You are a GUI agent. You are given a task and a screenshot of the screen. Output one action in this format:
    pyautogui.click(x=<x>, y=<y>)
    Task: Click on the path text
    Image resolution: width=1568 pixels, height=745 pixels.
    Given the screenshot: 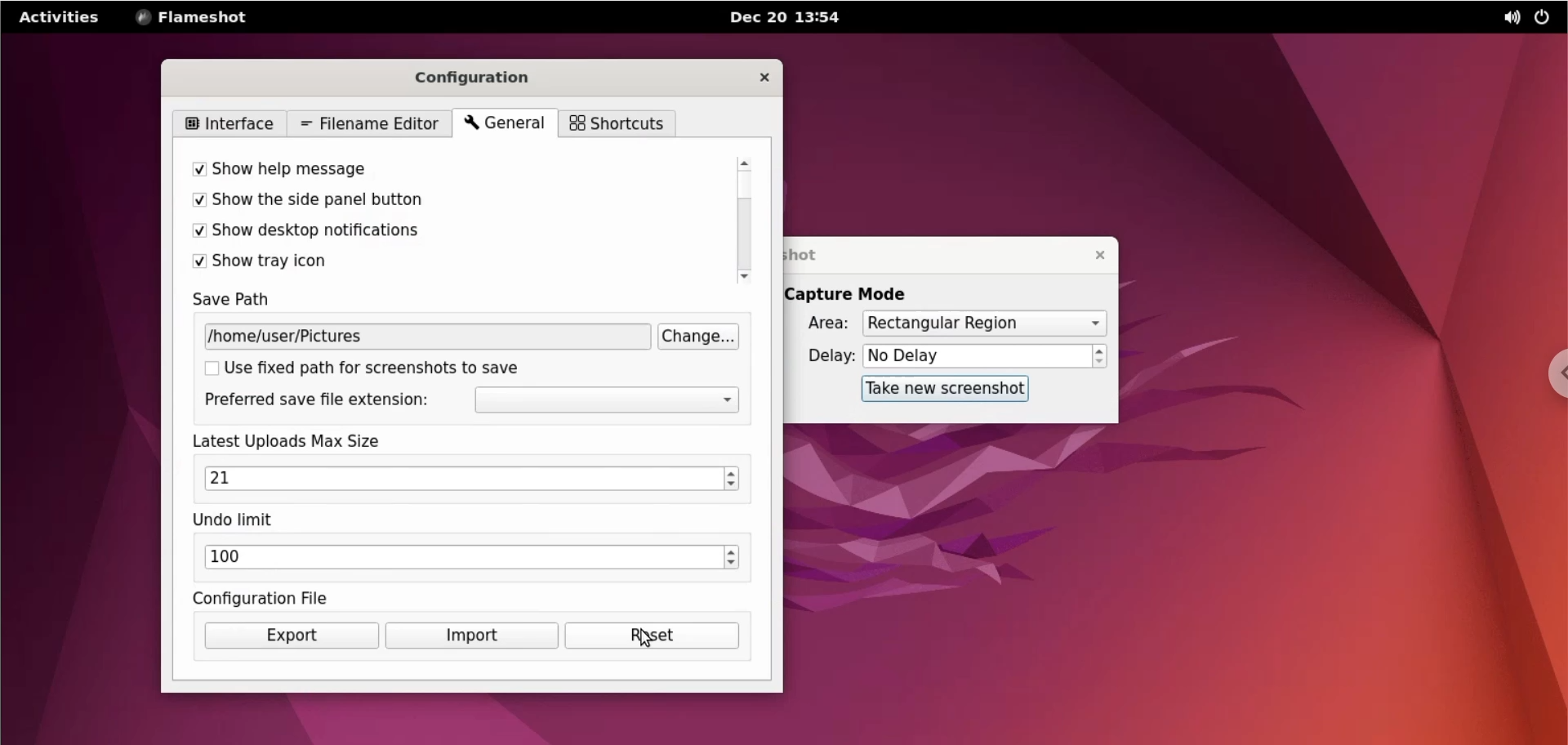 What is the action you would take?
    pyautogui.click(x=425, y=337)
    